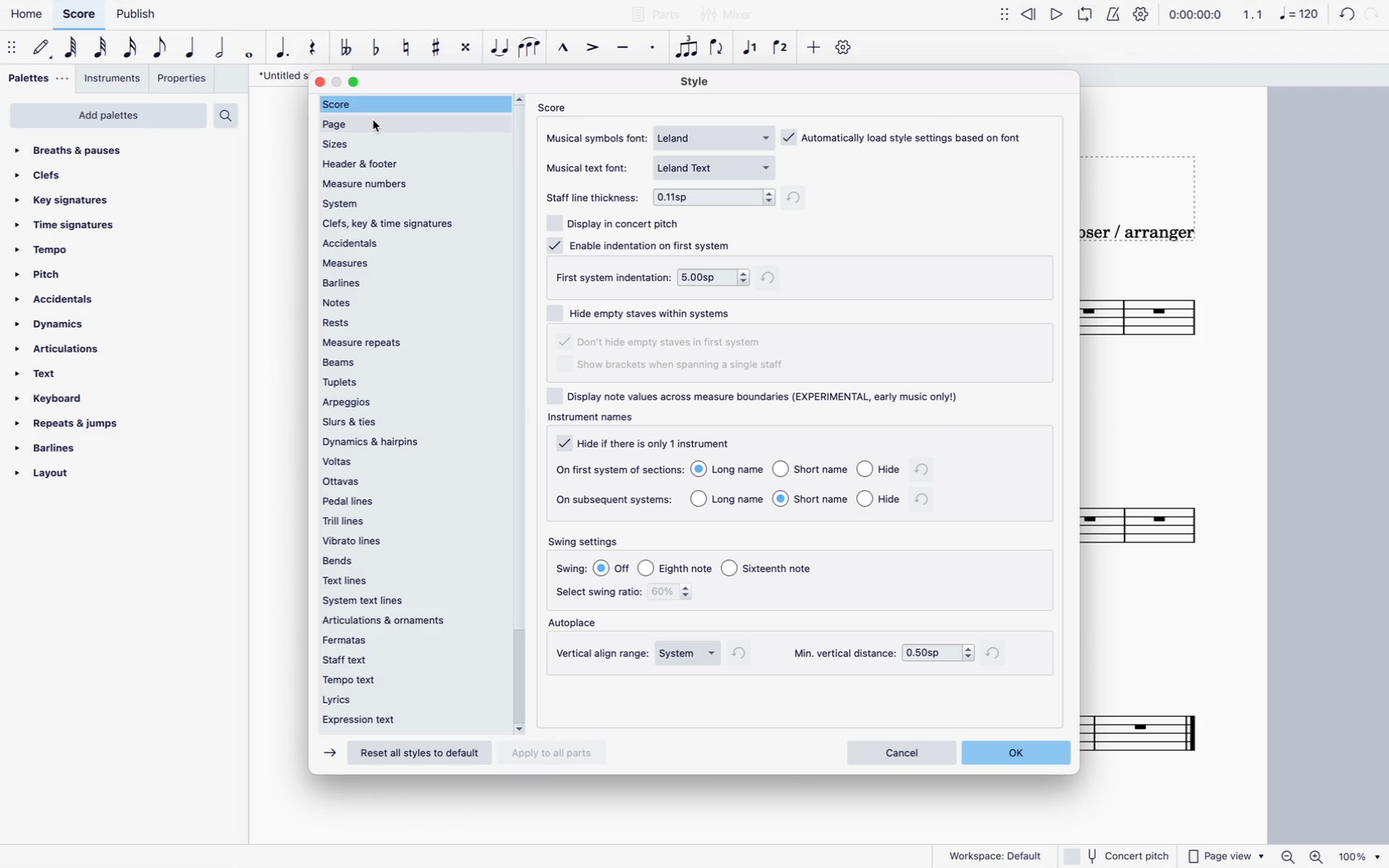 The image size is (1389, 868). I want to click on header & footer, so click(379, 163).